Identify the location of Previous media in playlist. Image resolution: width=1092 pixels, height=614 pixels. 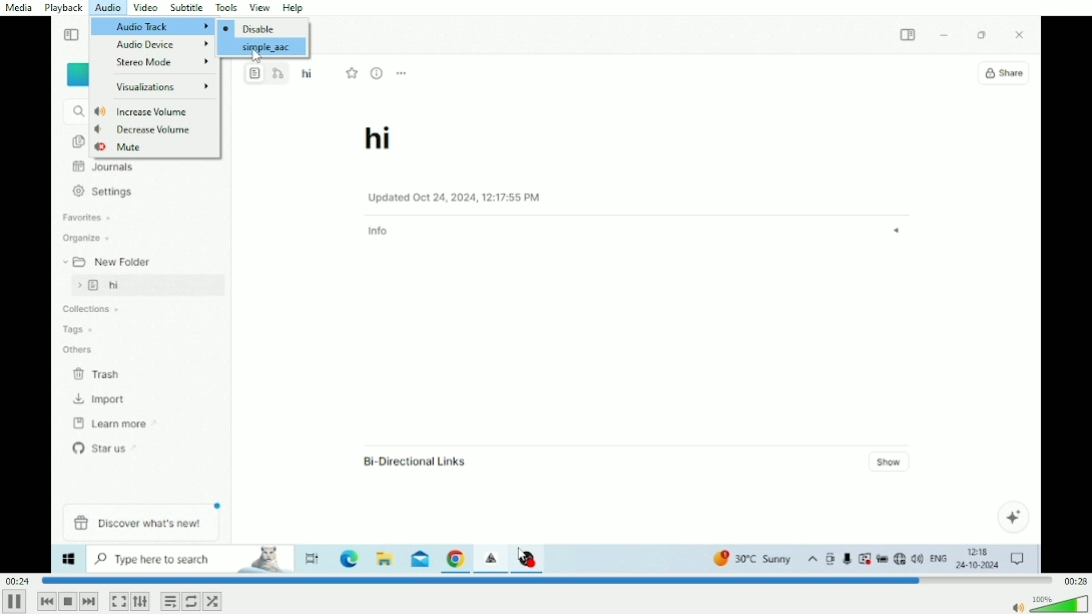
(46, 601).